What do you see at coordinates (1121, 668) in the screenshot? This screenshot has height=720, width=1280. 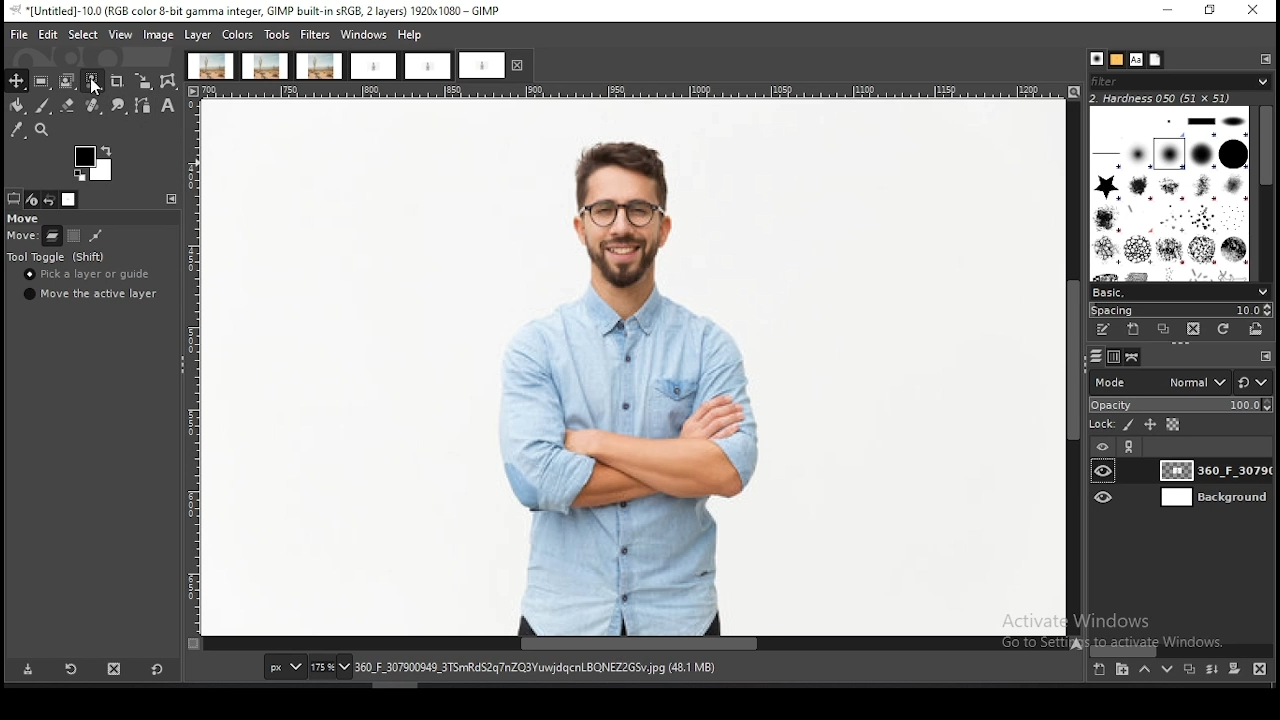 I see `create a new layer group` at bounding box center [1121, 668].